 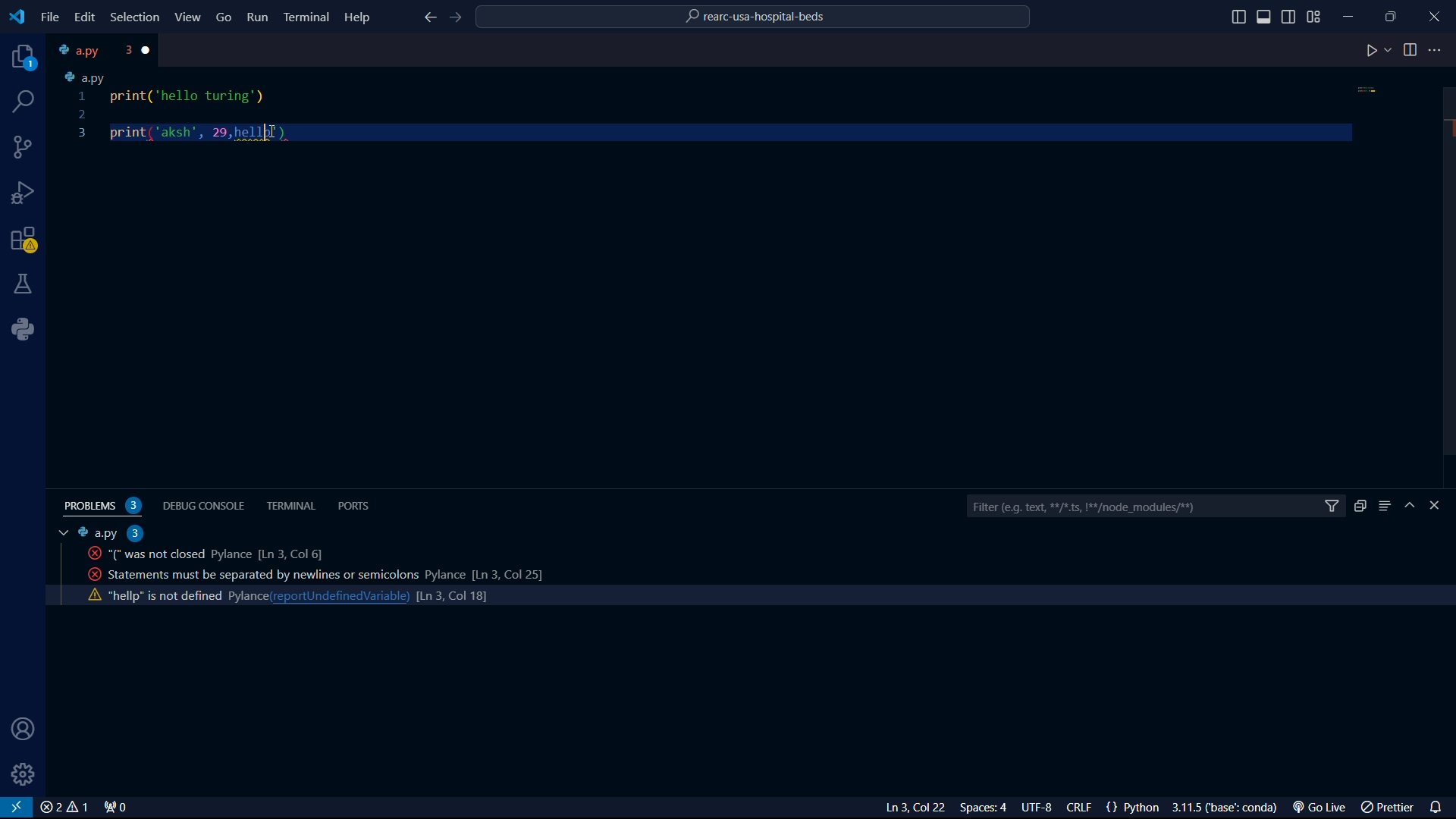 I want to click on search, so click(x=25, y=102).